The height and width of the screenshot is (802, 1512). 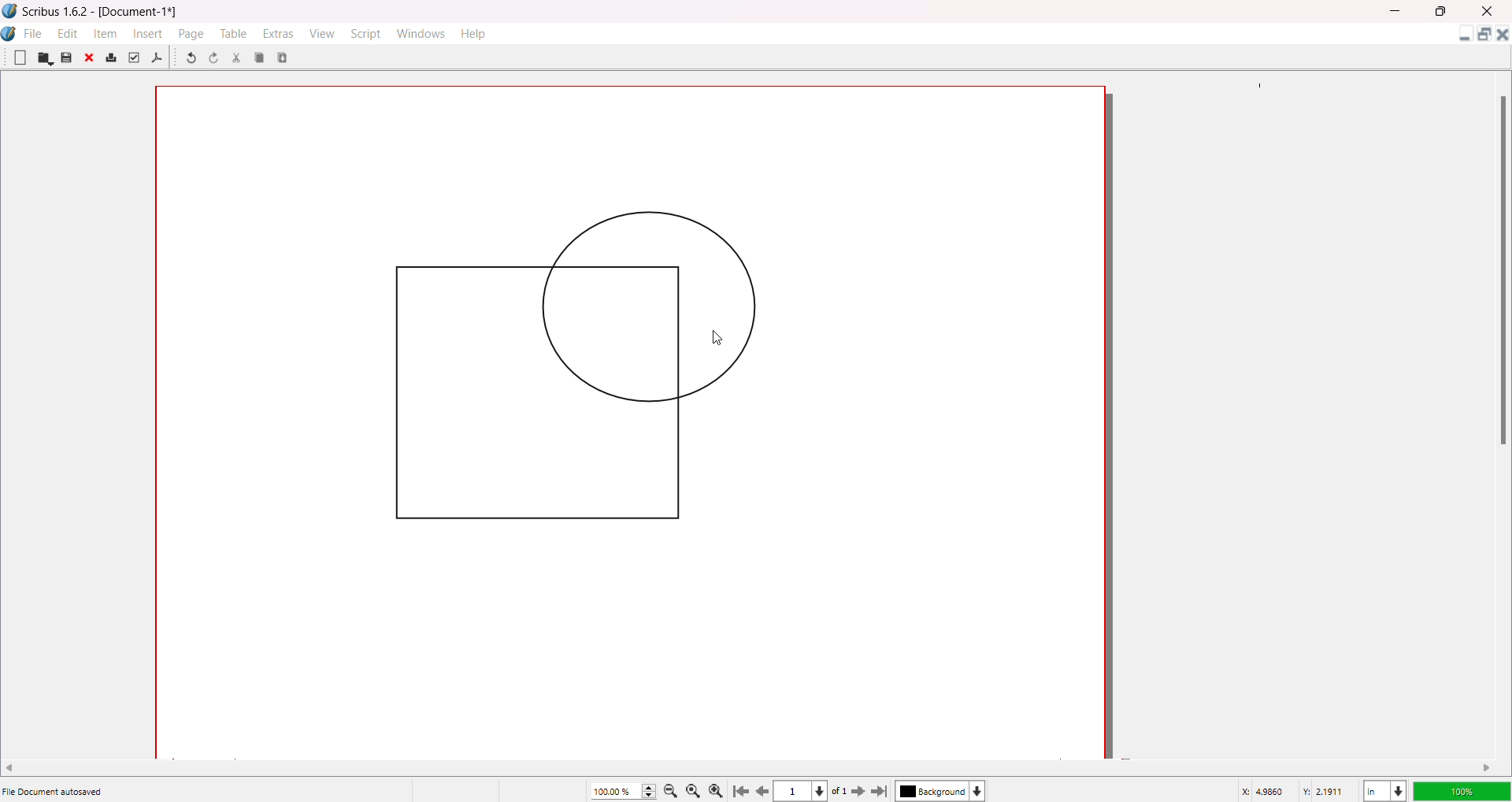 I want to click on Logo, so click(x=11, y=34).